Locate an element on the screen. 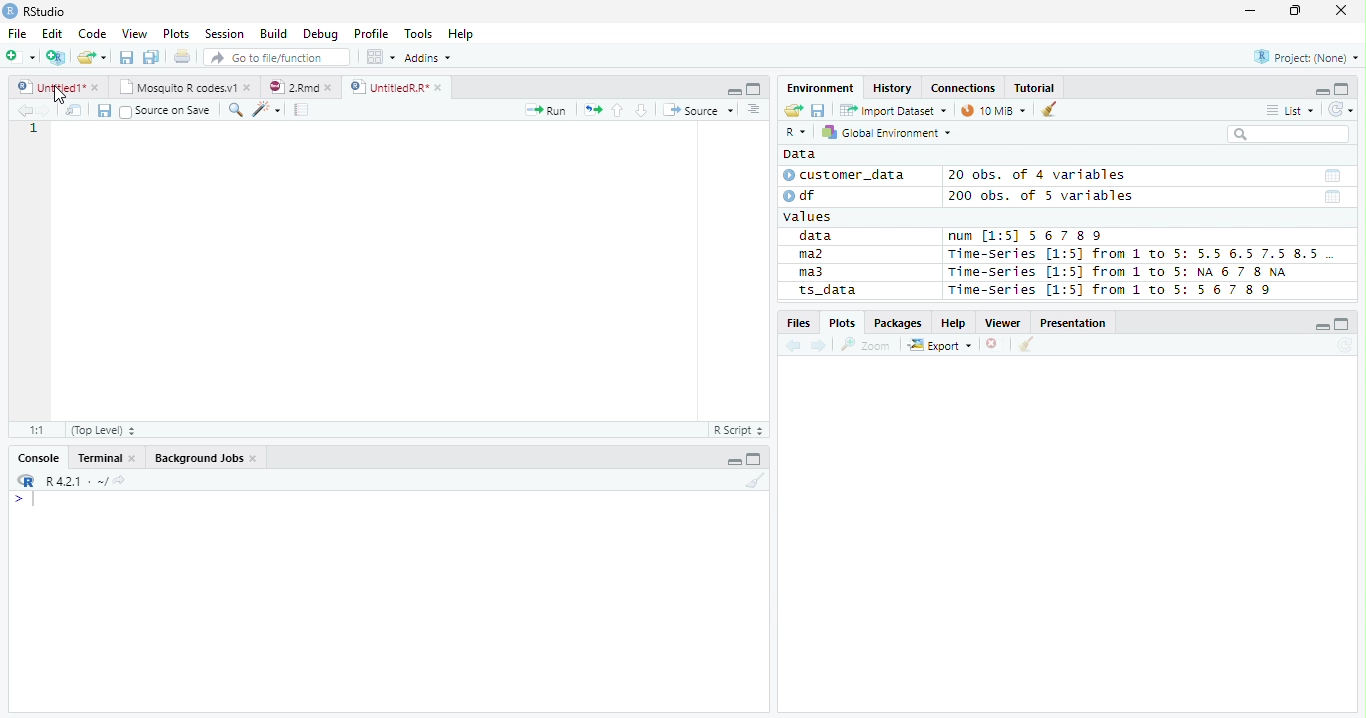 The width and height of the screenshot is (1366, 718). Debug is located at coordinates (321, 35).